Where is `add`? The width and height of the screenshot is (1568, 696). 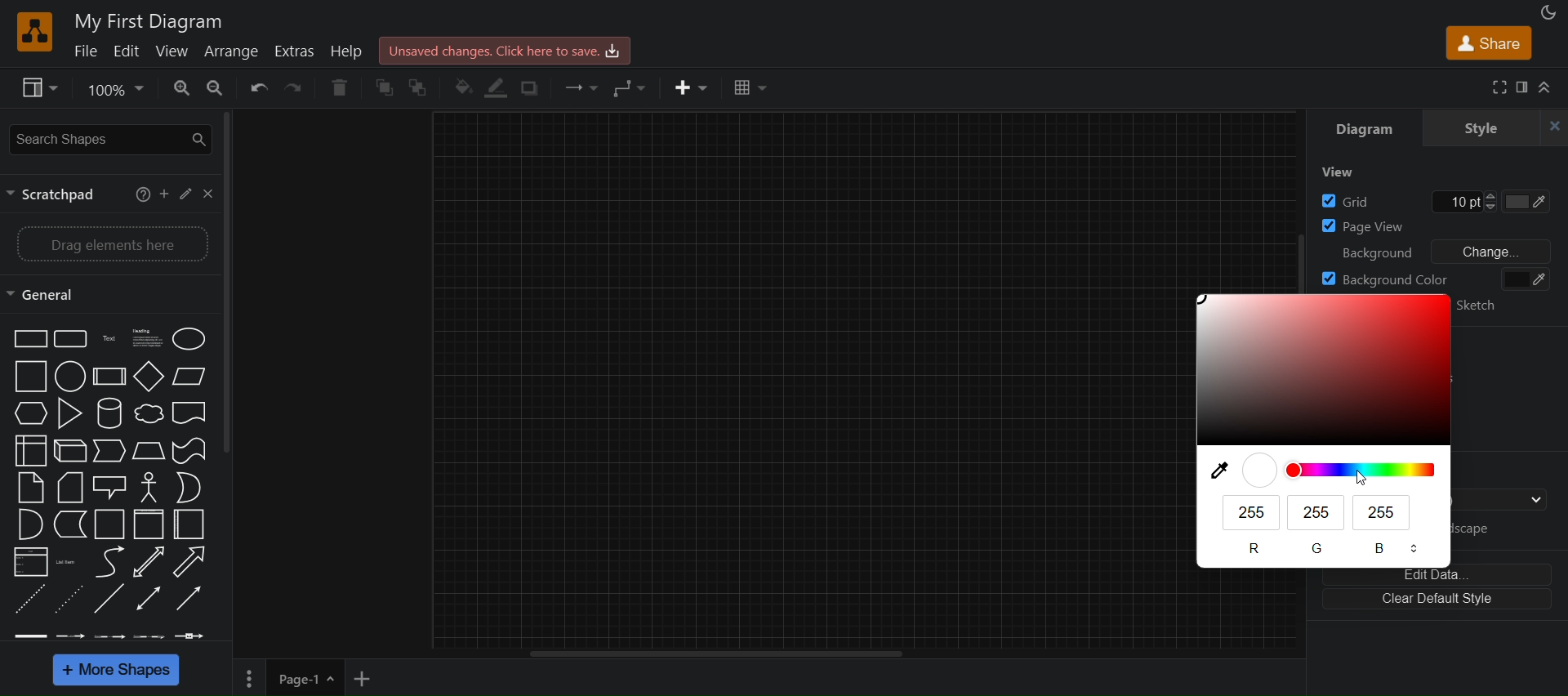
add is located at coordinates (166, 196).